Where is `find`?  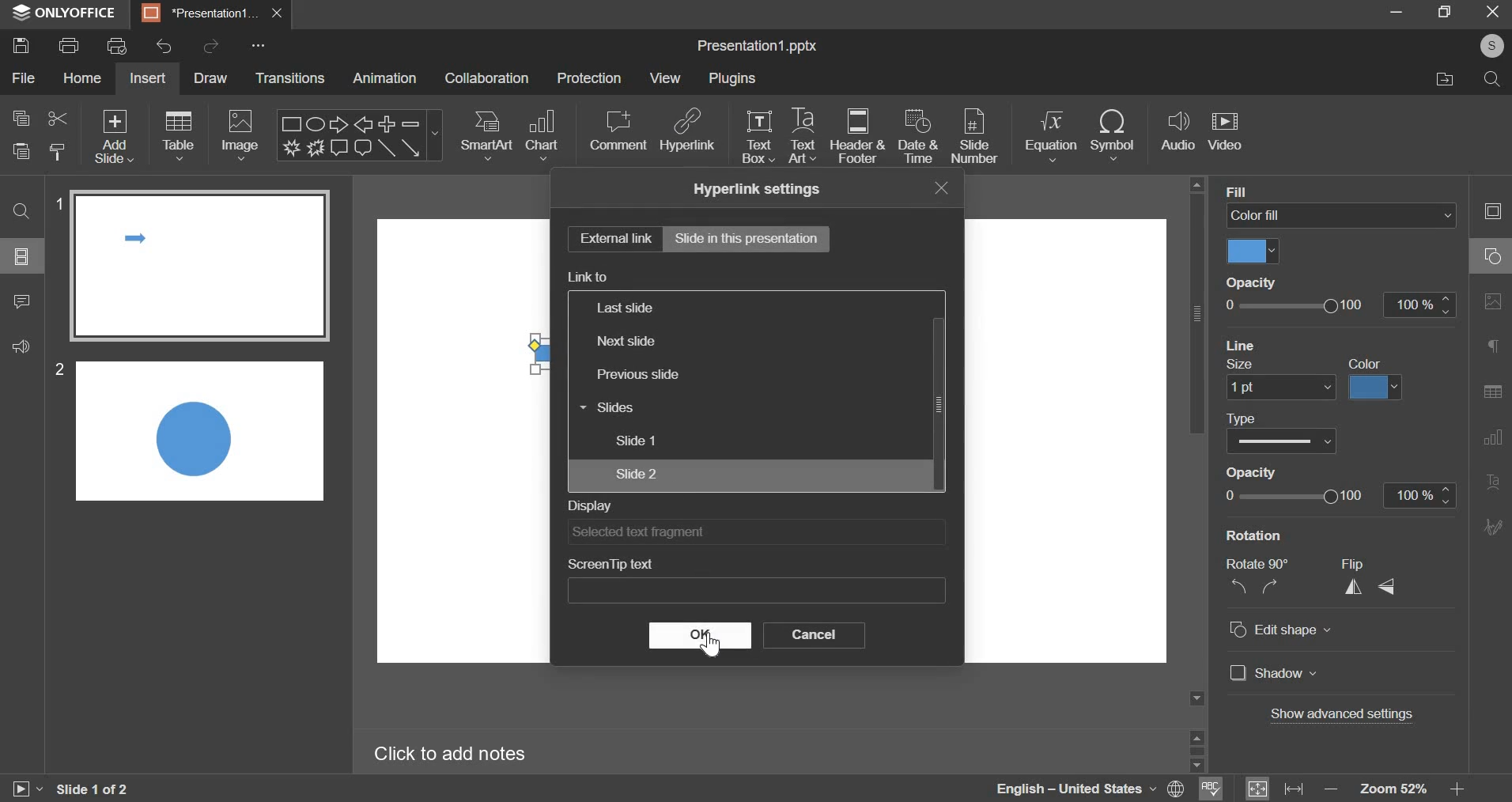 find is located at coordinates (20, 210).